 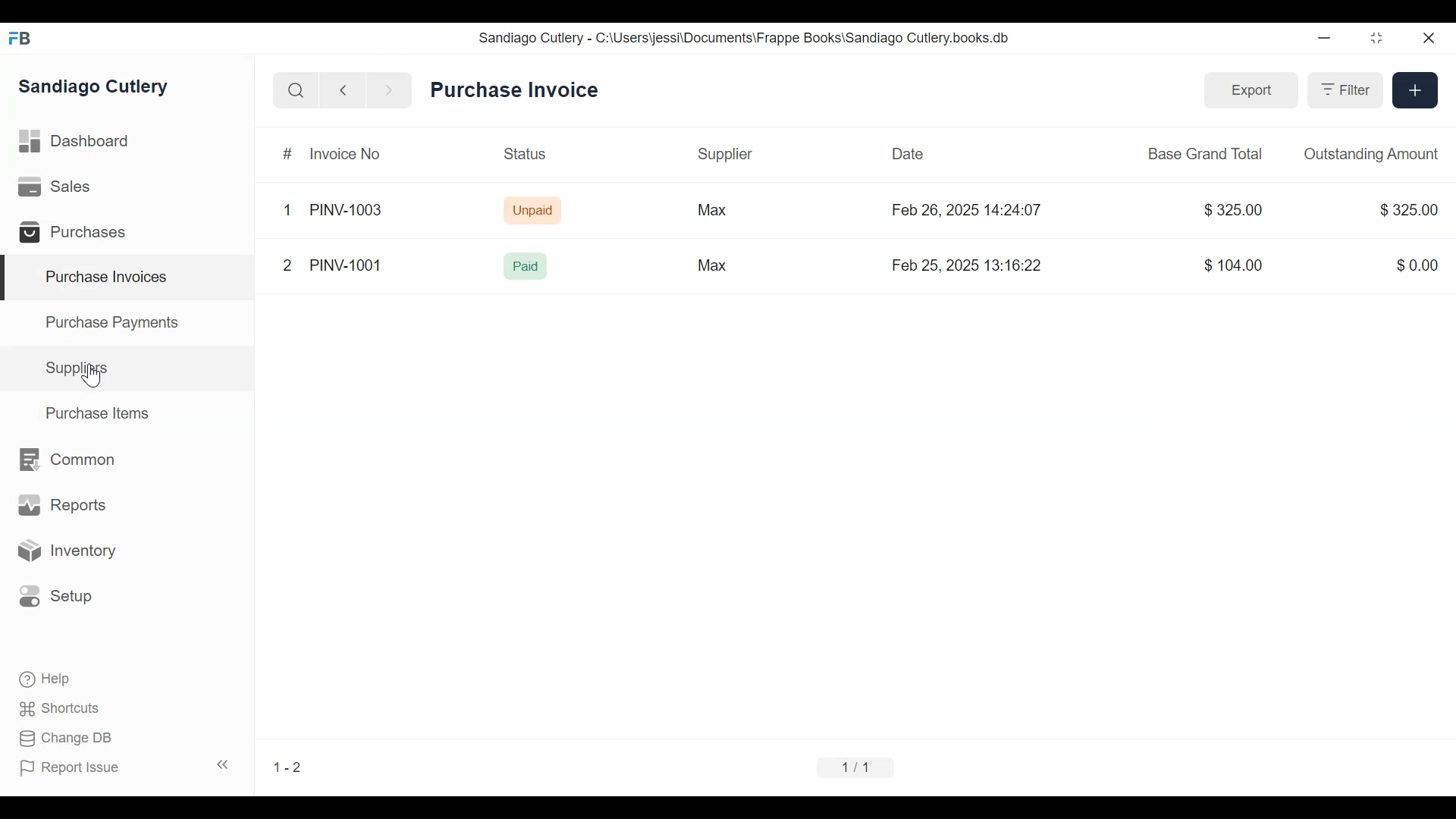 I want to click on Supplies, so click(x=80, y=368).